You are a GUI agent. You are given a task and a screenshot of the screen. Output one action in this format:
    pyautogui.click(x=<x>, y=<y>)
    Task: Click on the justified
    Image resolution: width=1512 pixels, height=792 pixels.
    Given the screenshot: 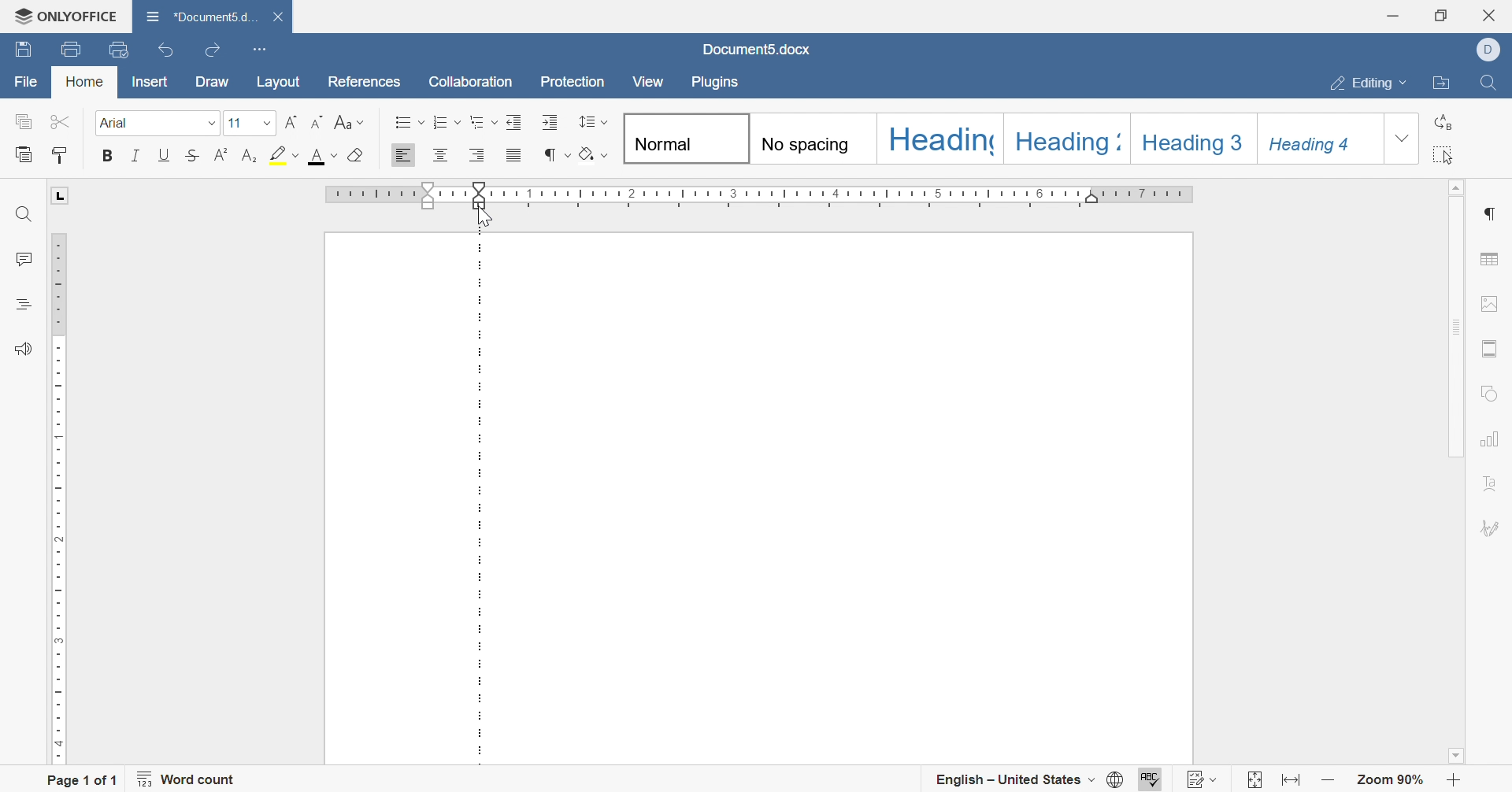 What is the action you would take?
    pyautogui.click(x=513, y=157)
    